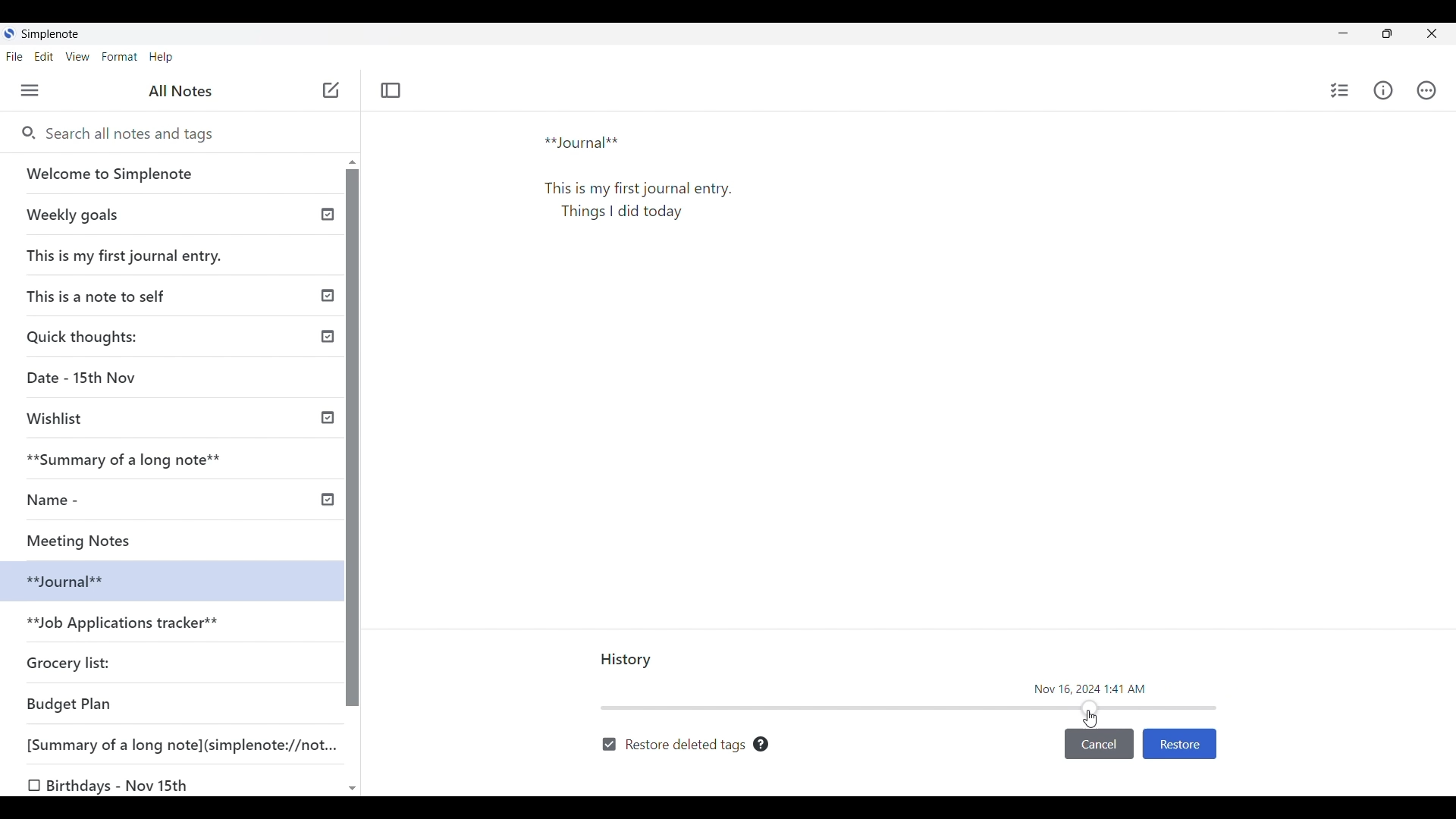 This screenshot has height=819, width=1456. What do you see at coordinates (331, 89) in the screenshot?
I see `Add new note` at bounding box center [331, 89].